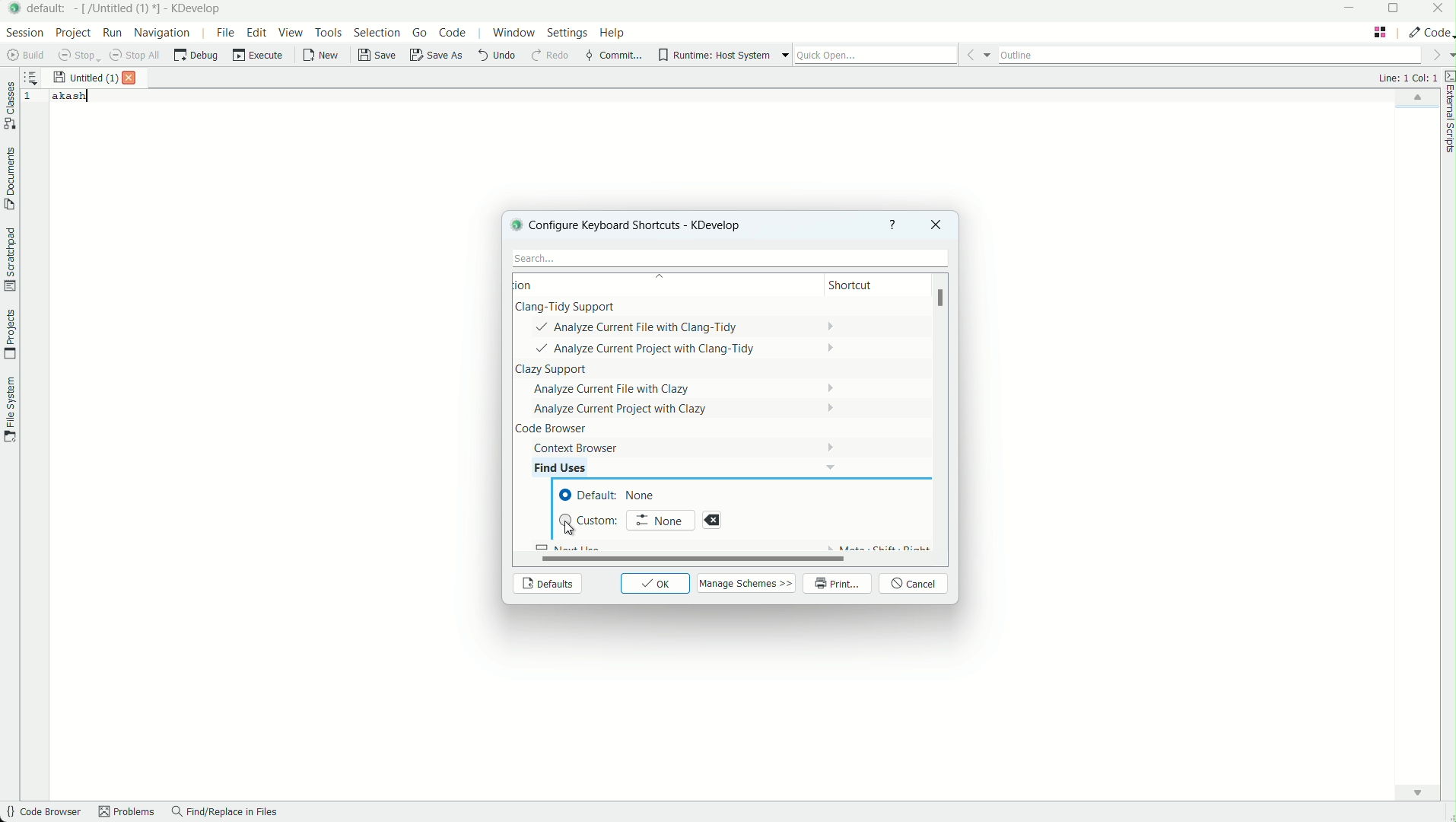 This screenshot has height=822, width=1456. What do you see at coordinates (712, 520) in the screenshot?
I see `remove current shortcut` at bounding box center [712, 520].